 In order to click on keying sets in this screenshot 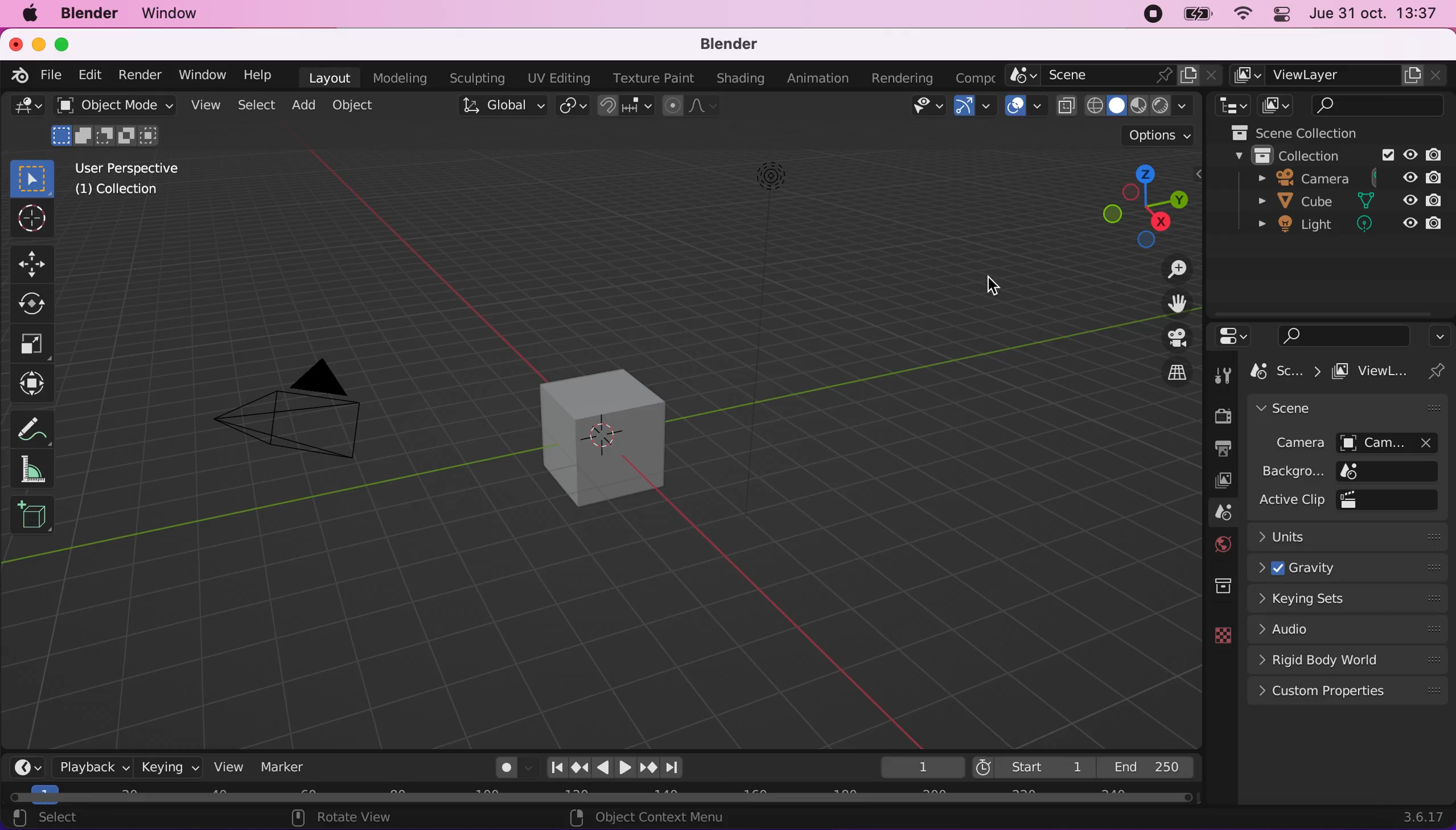, I will do `click(1349, 599)`.